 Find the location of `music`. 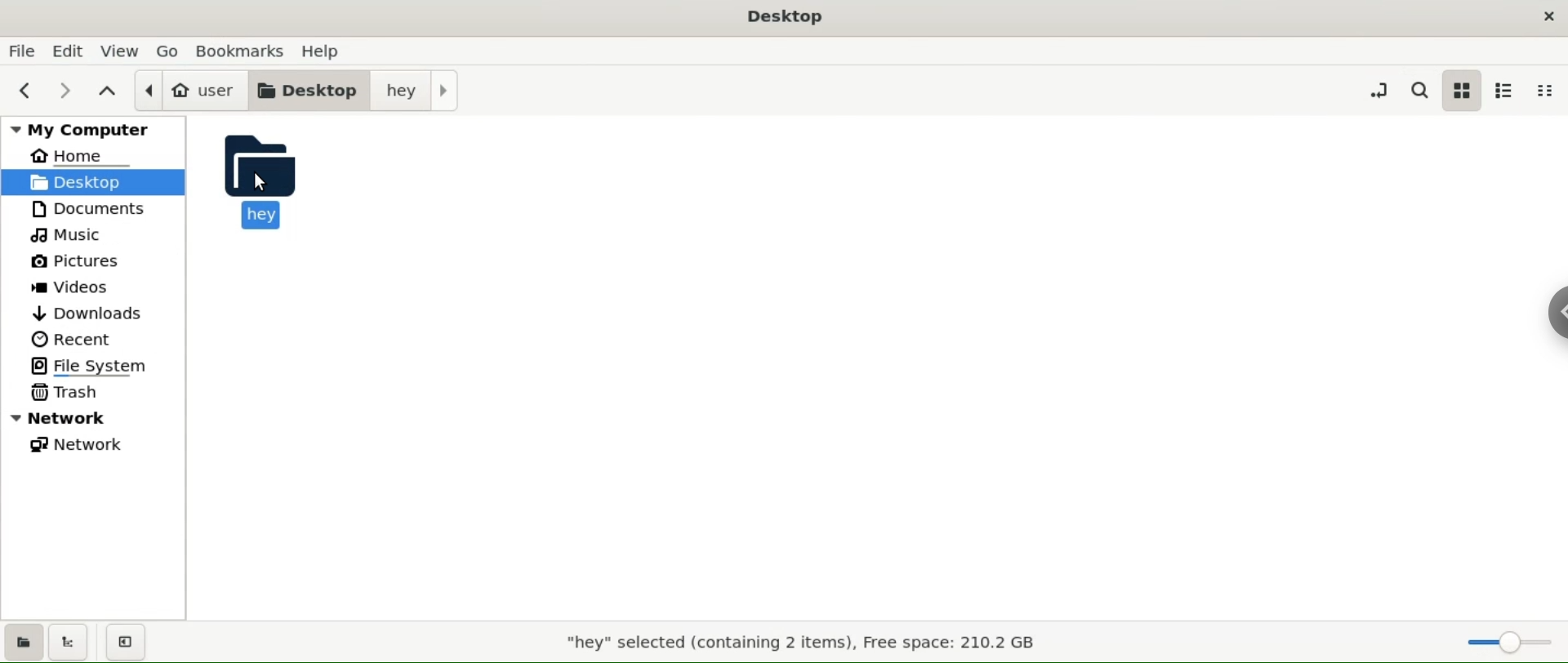

music is located at coordinates (72, 235).